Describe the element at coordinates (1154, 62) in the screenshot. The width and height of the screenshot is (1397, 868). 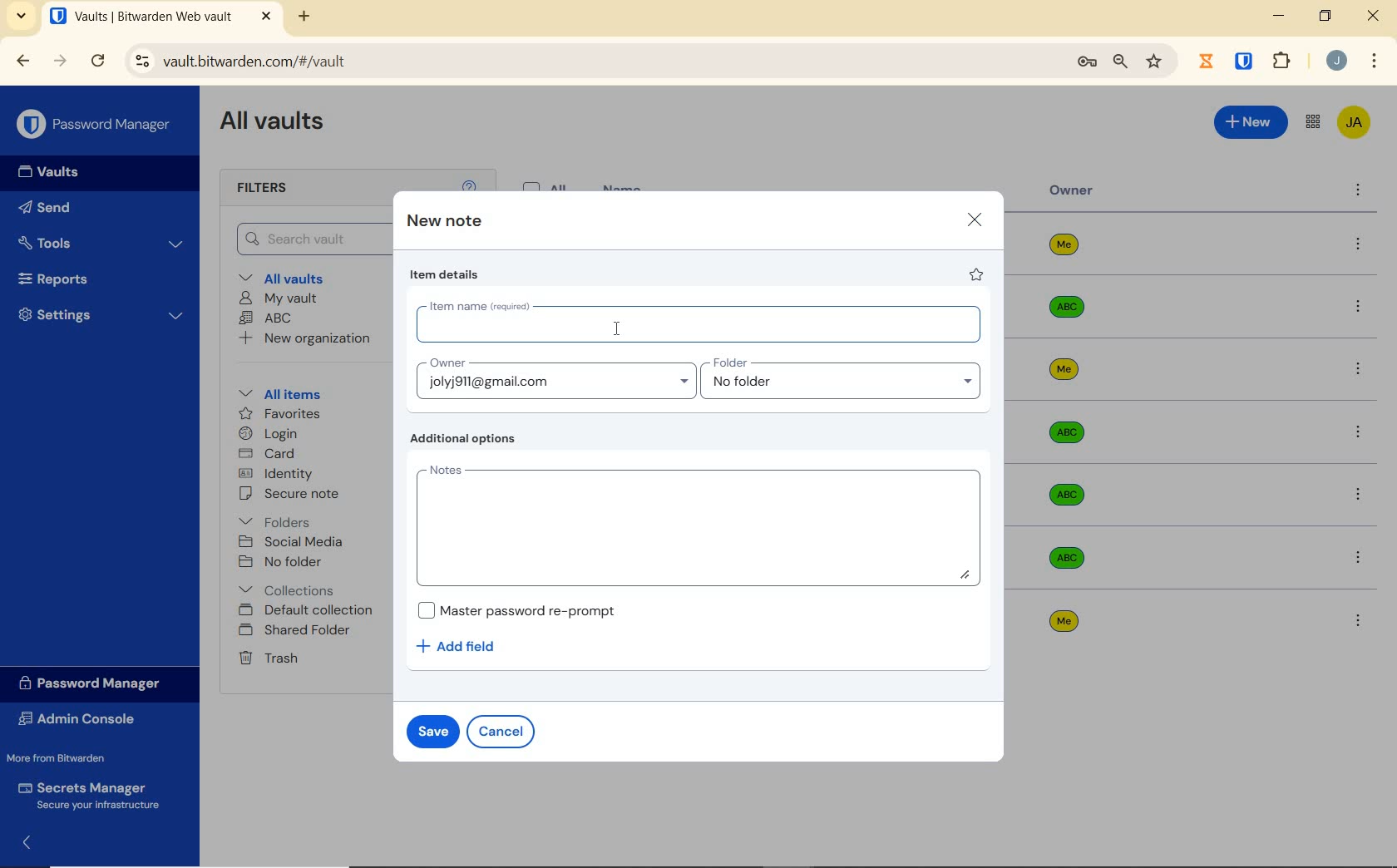
I see `bookmark` at that location.